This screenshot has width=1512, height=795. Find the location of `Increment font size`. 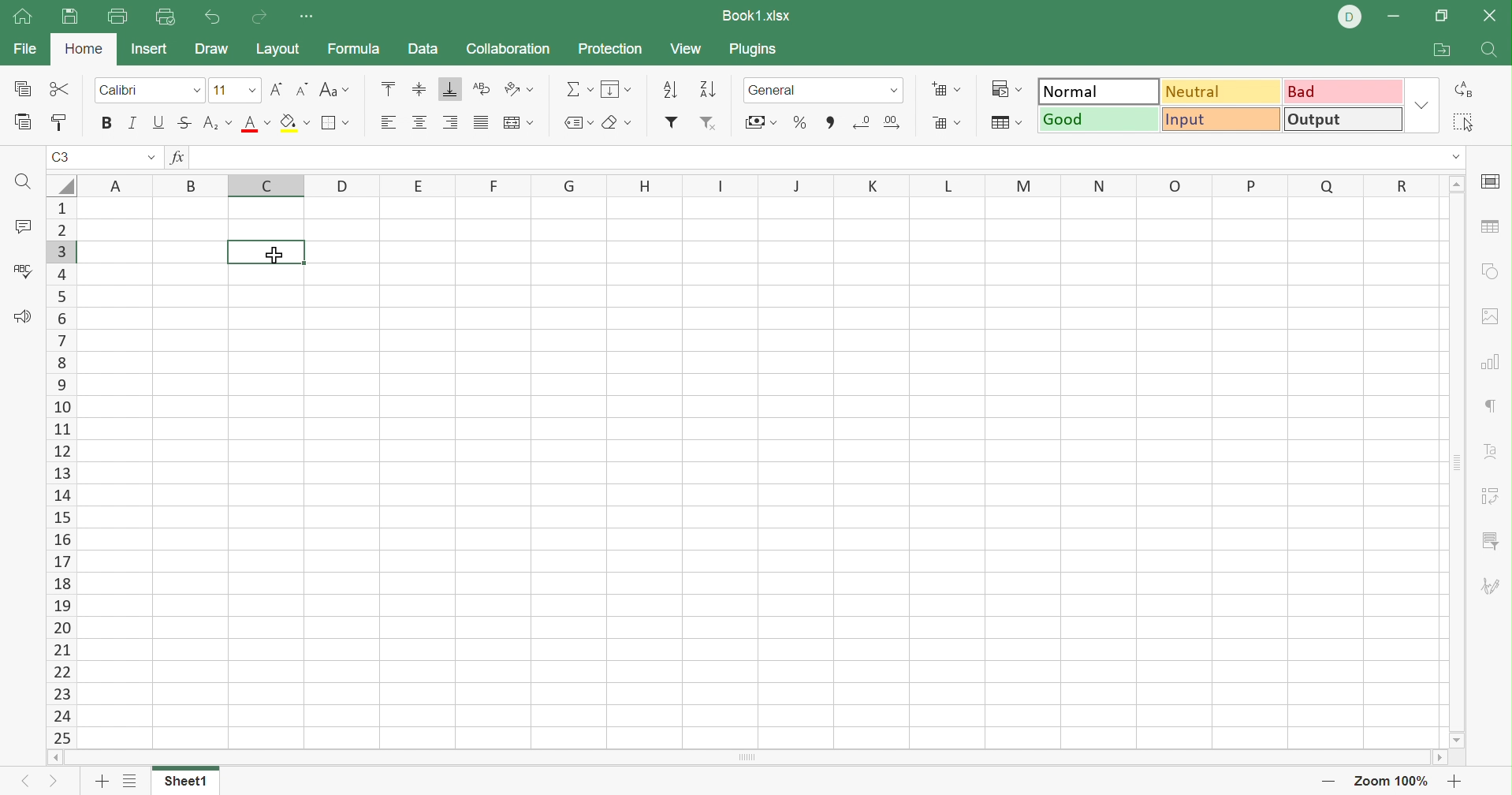

Increment font size is located at coordinates (274, 90).